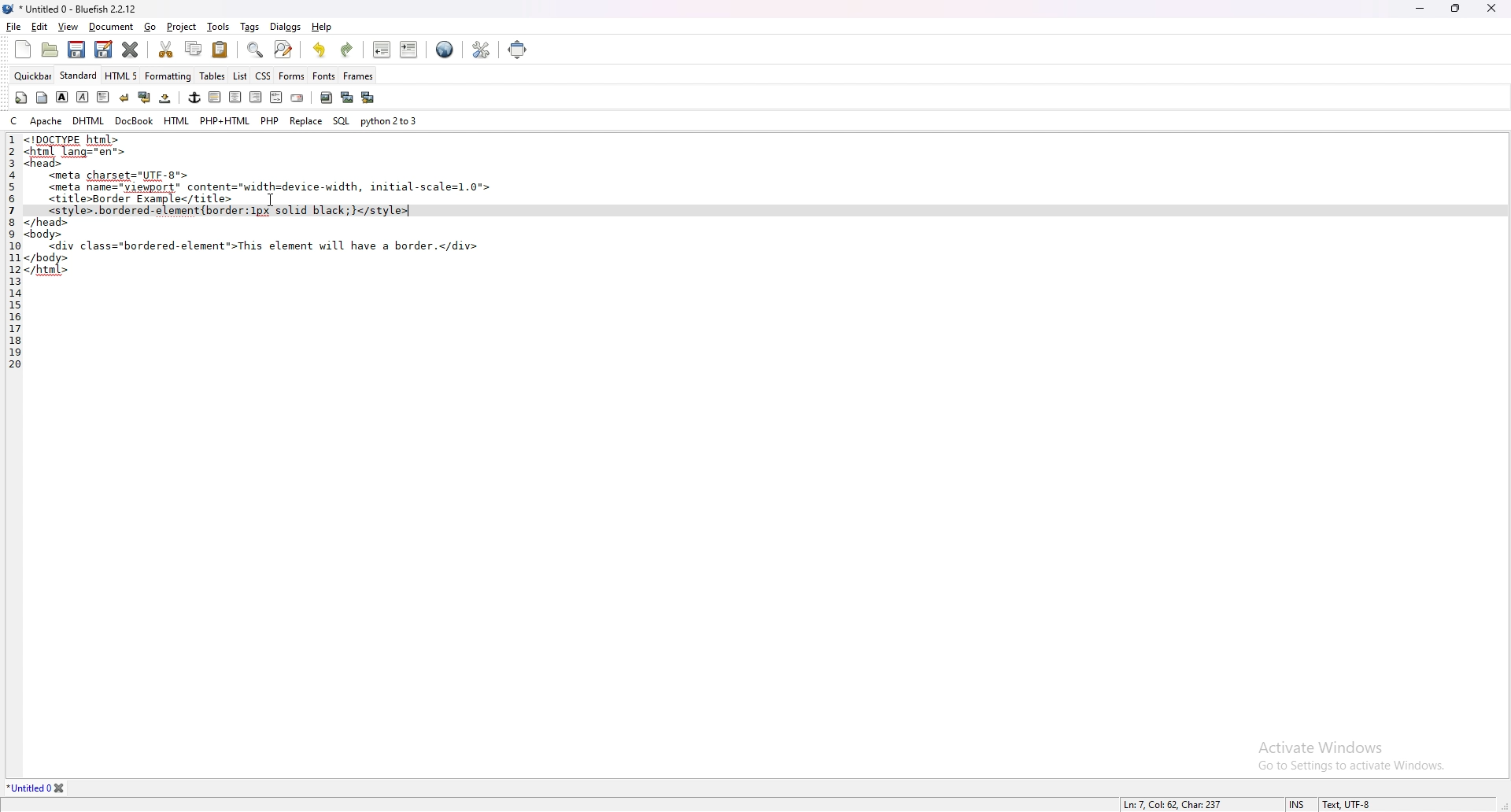 This screenshot has width=1511, height=812. I want to click on cut, so click(165, 48).